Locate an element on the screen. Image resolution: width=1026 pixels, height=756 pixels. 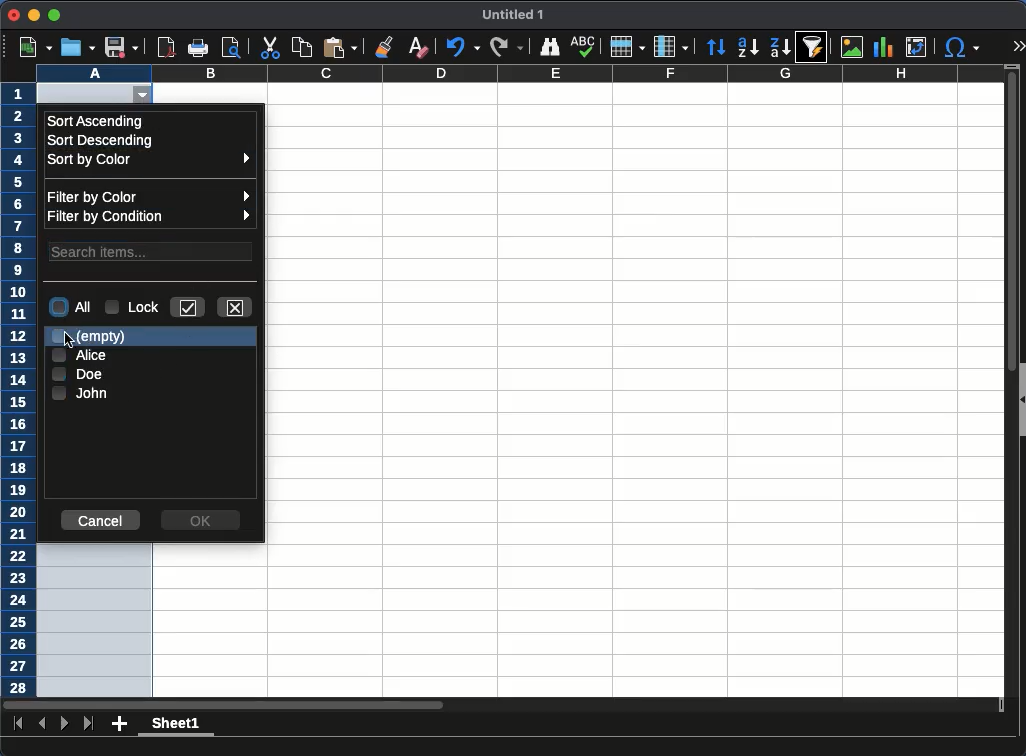
search is located at coordinates (152, 250).